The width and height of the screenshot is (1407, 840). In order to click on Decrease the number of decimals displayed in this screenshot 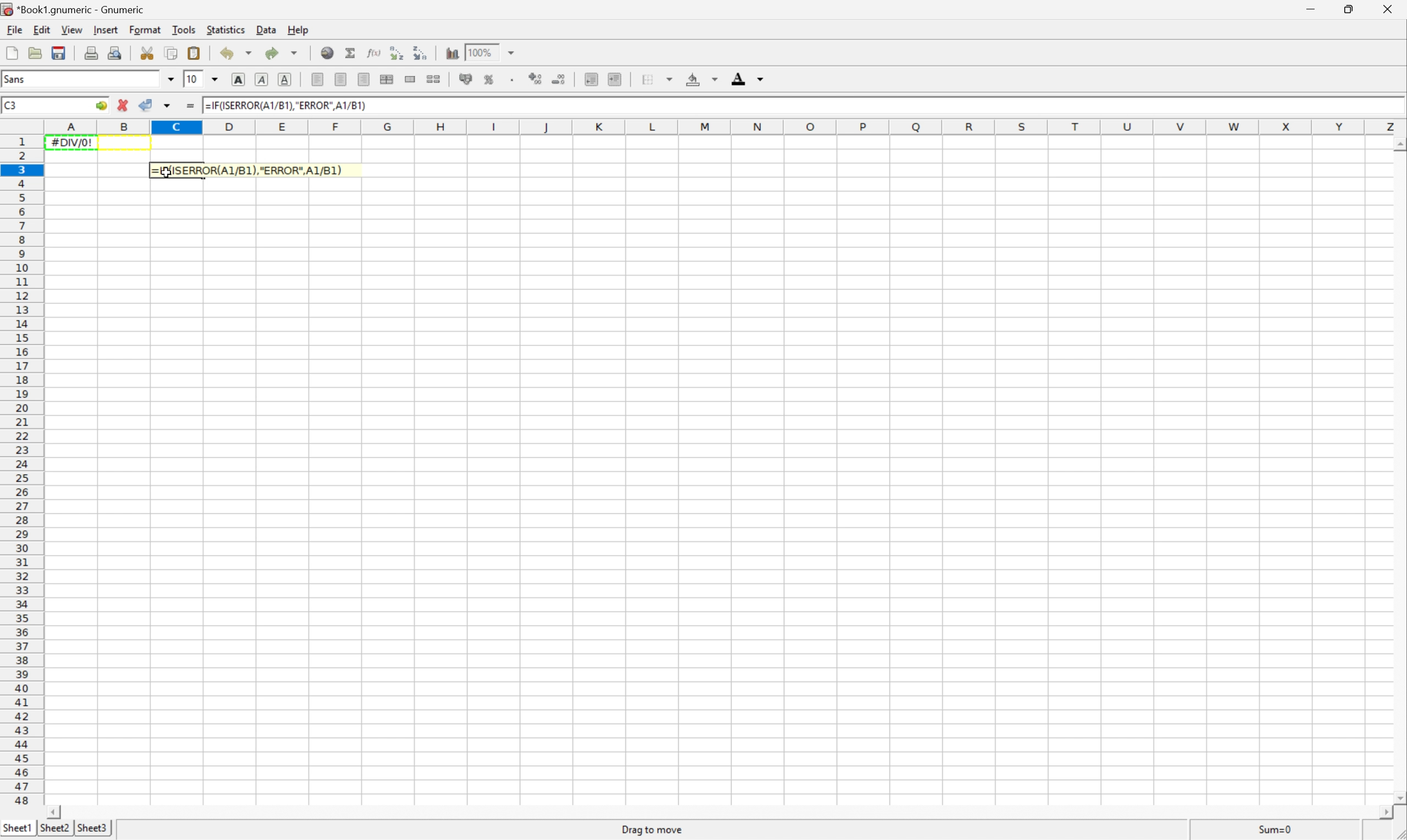, I will do `click(561, 78)`.